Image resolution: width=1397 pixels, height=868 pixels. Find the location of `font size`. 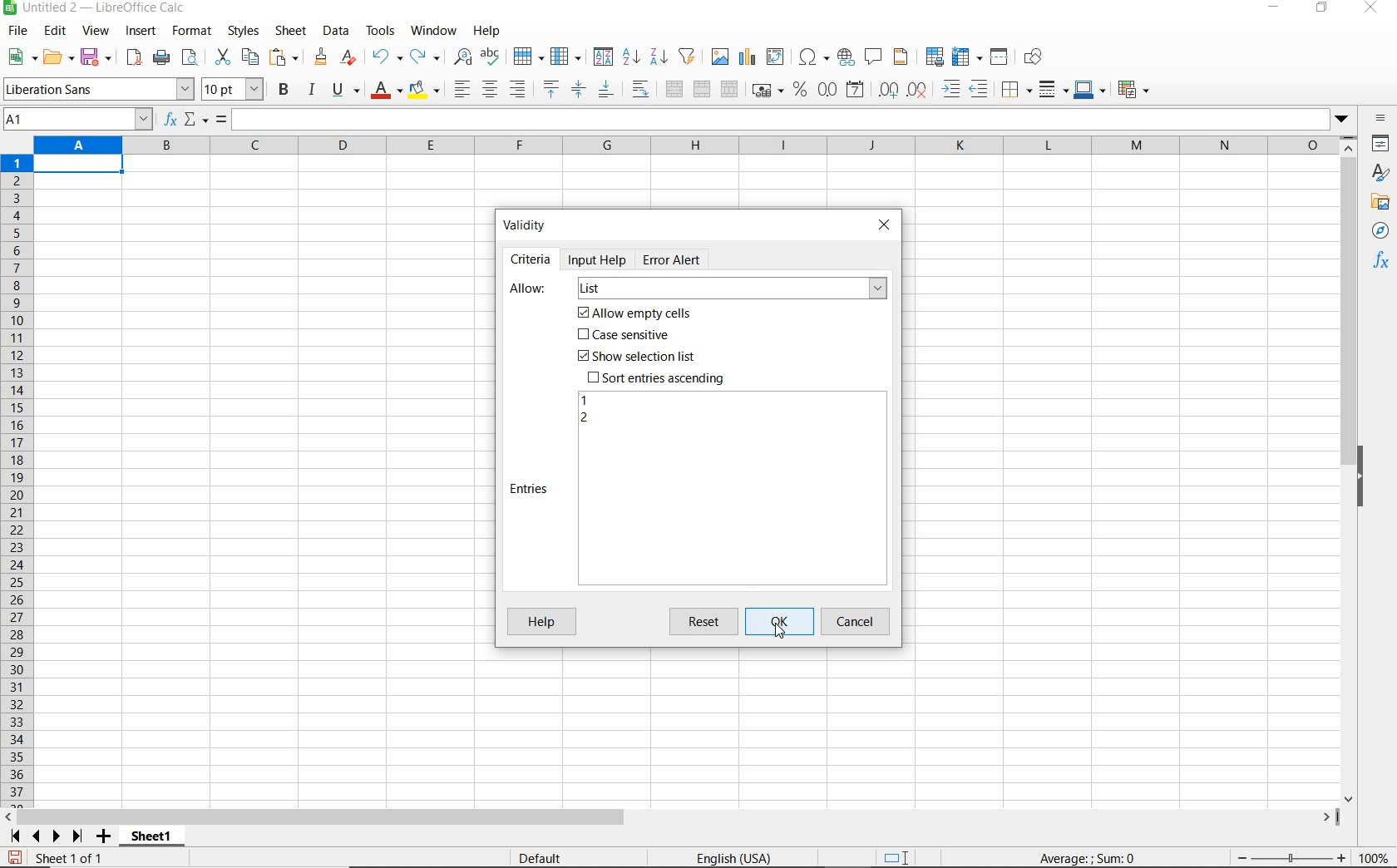

font size is located at coordinates (233, 89).